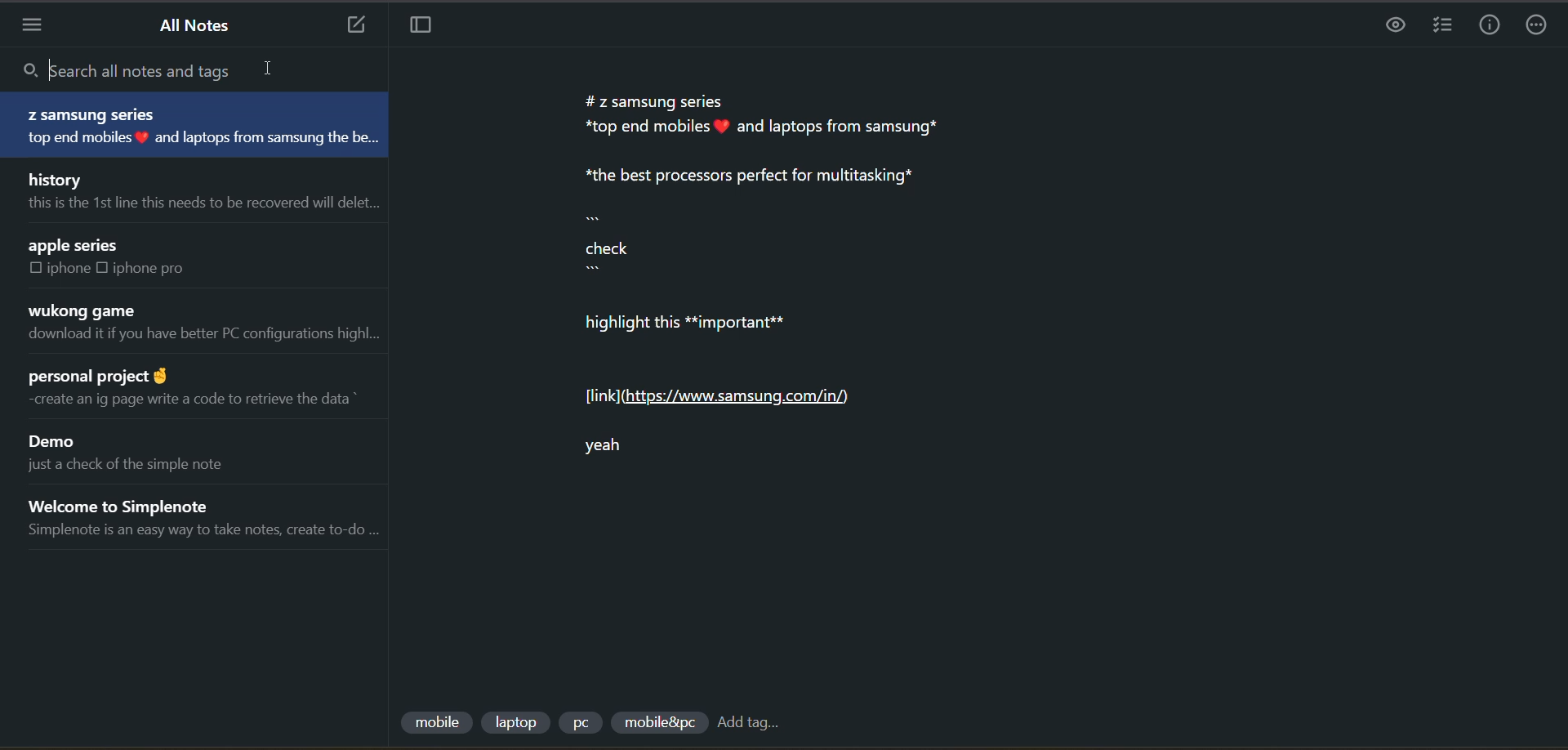  I want to click on wukong game, so click(87, 310).